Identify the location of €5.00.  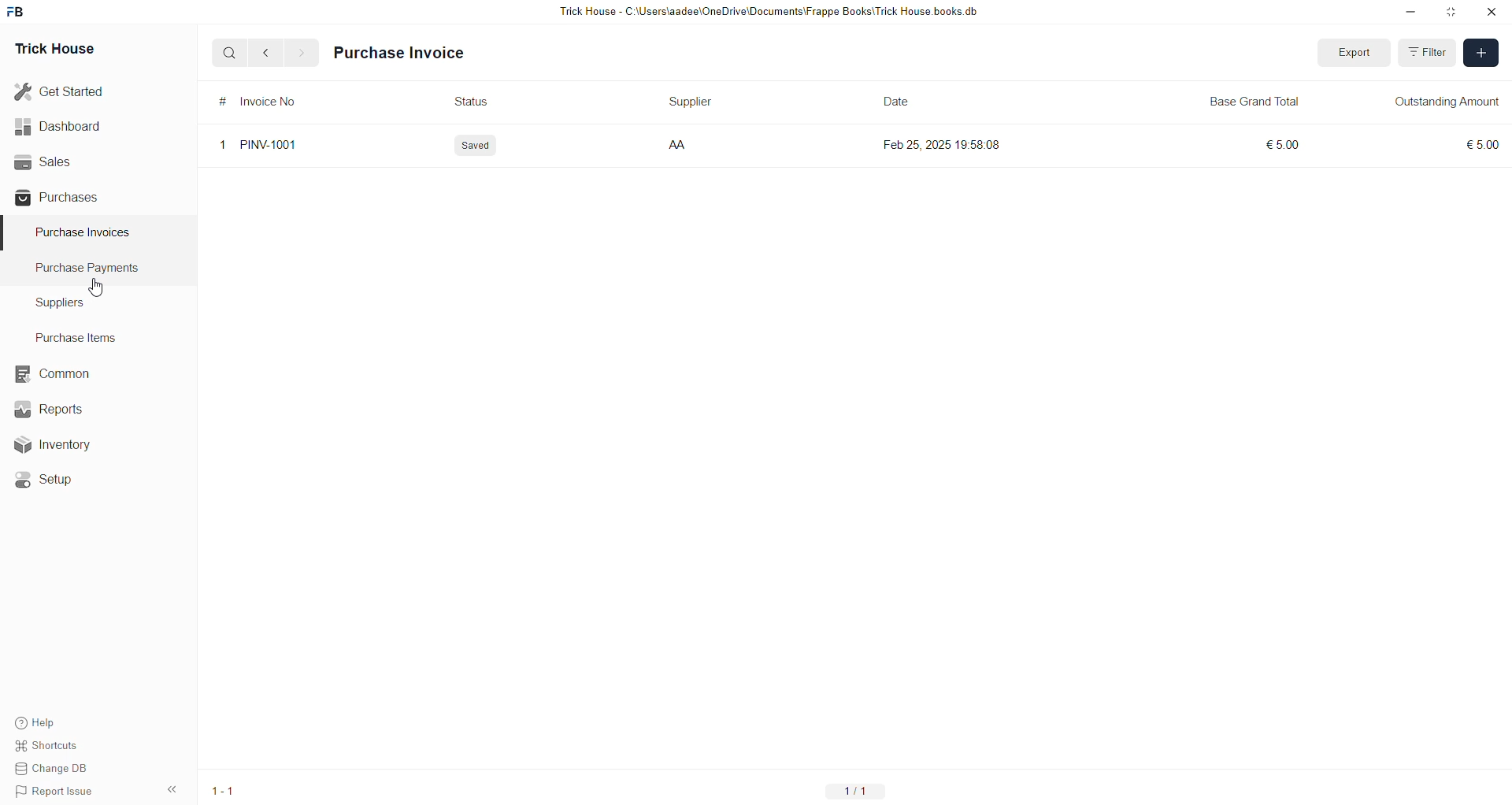
(1480, 147).